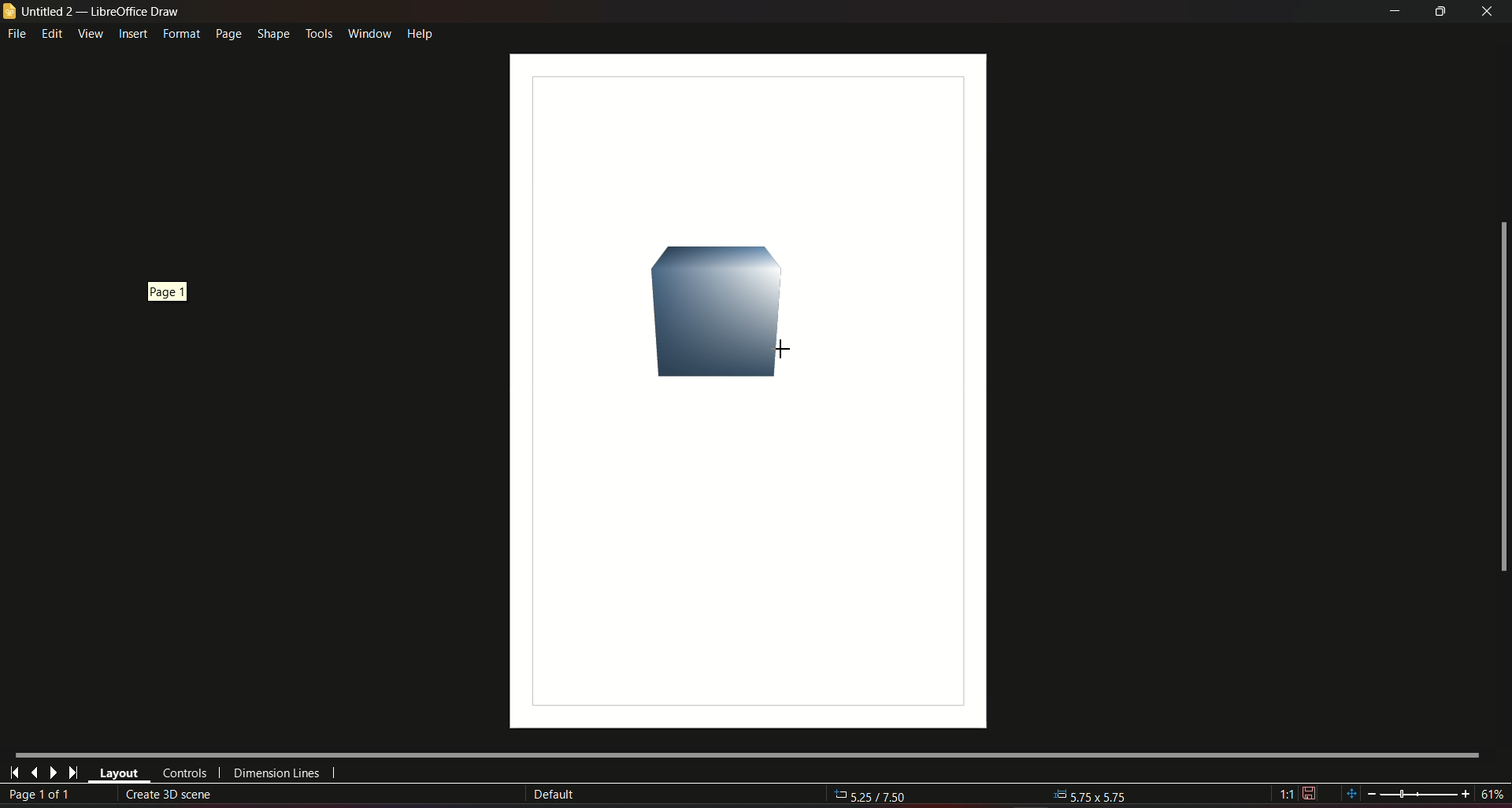 Image resolution: width=1512 pixels, height=808 pixels. I want to click on logo and title, so click(93, 12).